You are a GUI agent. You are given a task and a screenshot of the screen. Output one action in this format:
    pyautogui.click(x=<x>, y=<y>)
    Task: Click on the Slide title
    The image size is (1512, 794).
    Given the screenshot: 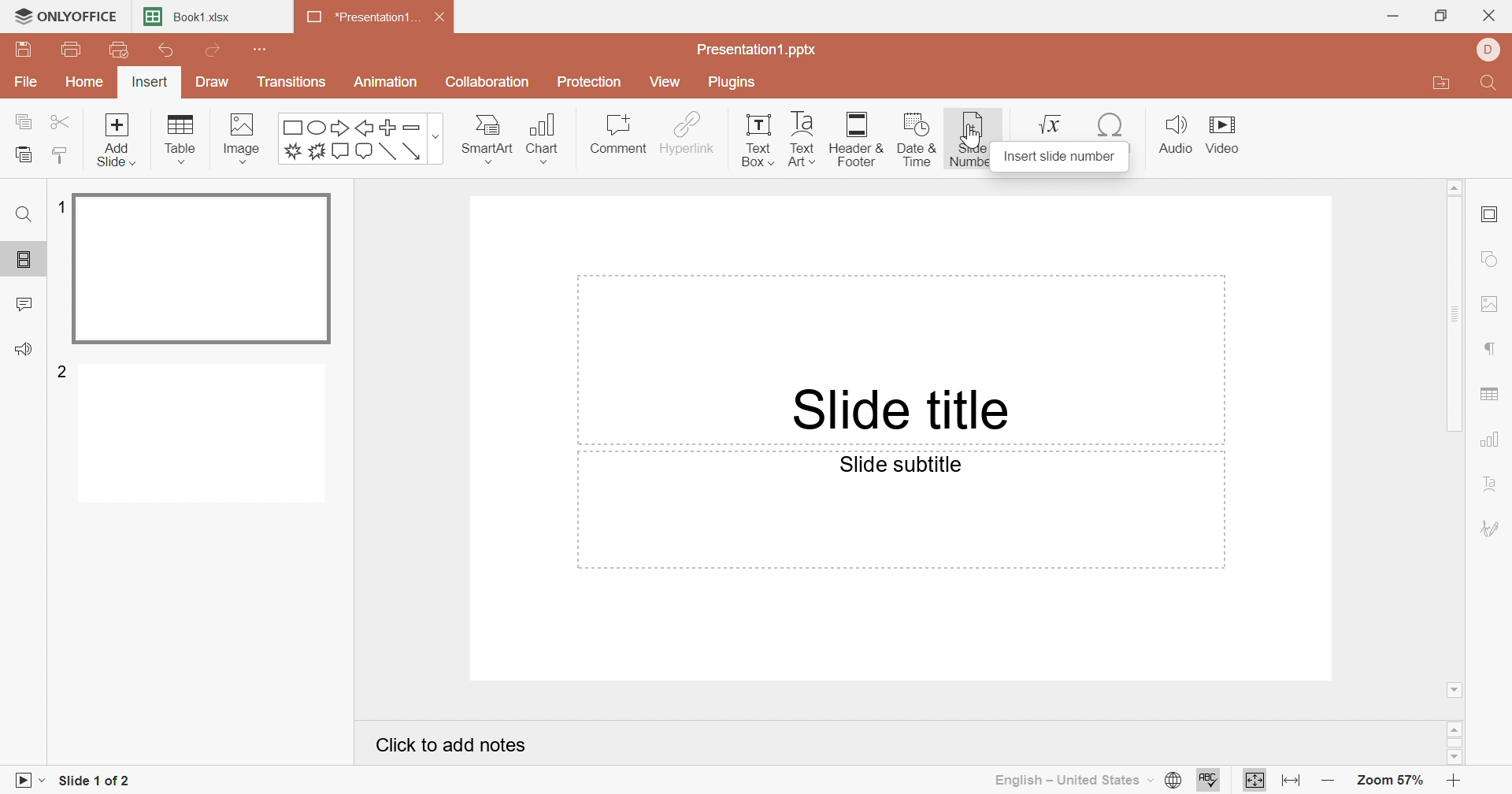 What is the action you would take?
    pyautogui.click(x=897, y=408)
    